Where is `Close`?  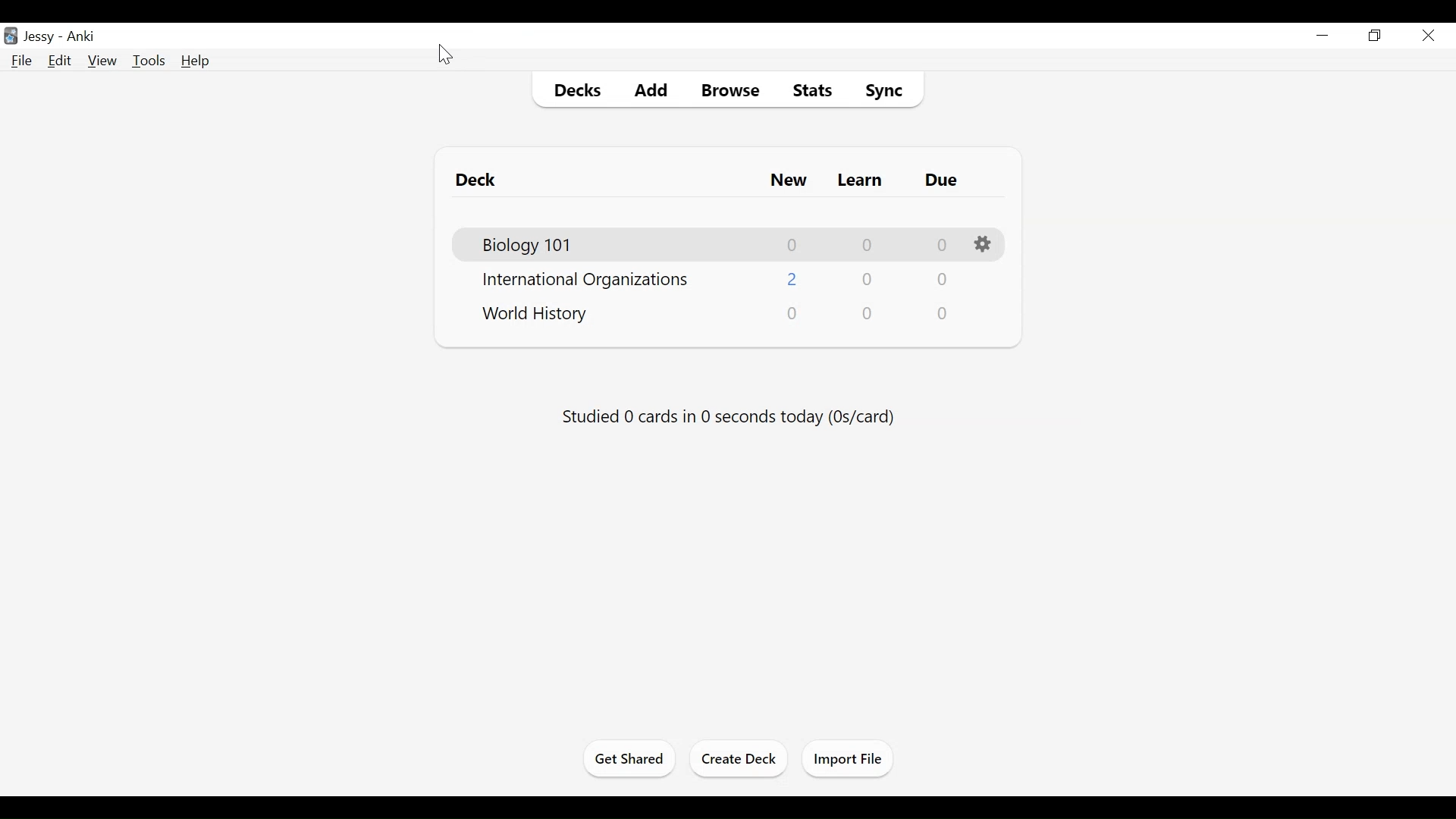
Close is located at coordinates (1428, 35).